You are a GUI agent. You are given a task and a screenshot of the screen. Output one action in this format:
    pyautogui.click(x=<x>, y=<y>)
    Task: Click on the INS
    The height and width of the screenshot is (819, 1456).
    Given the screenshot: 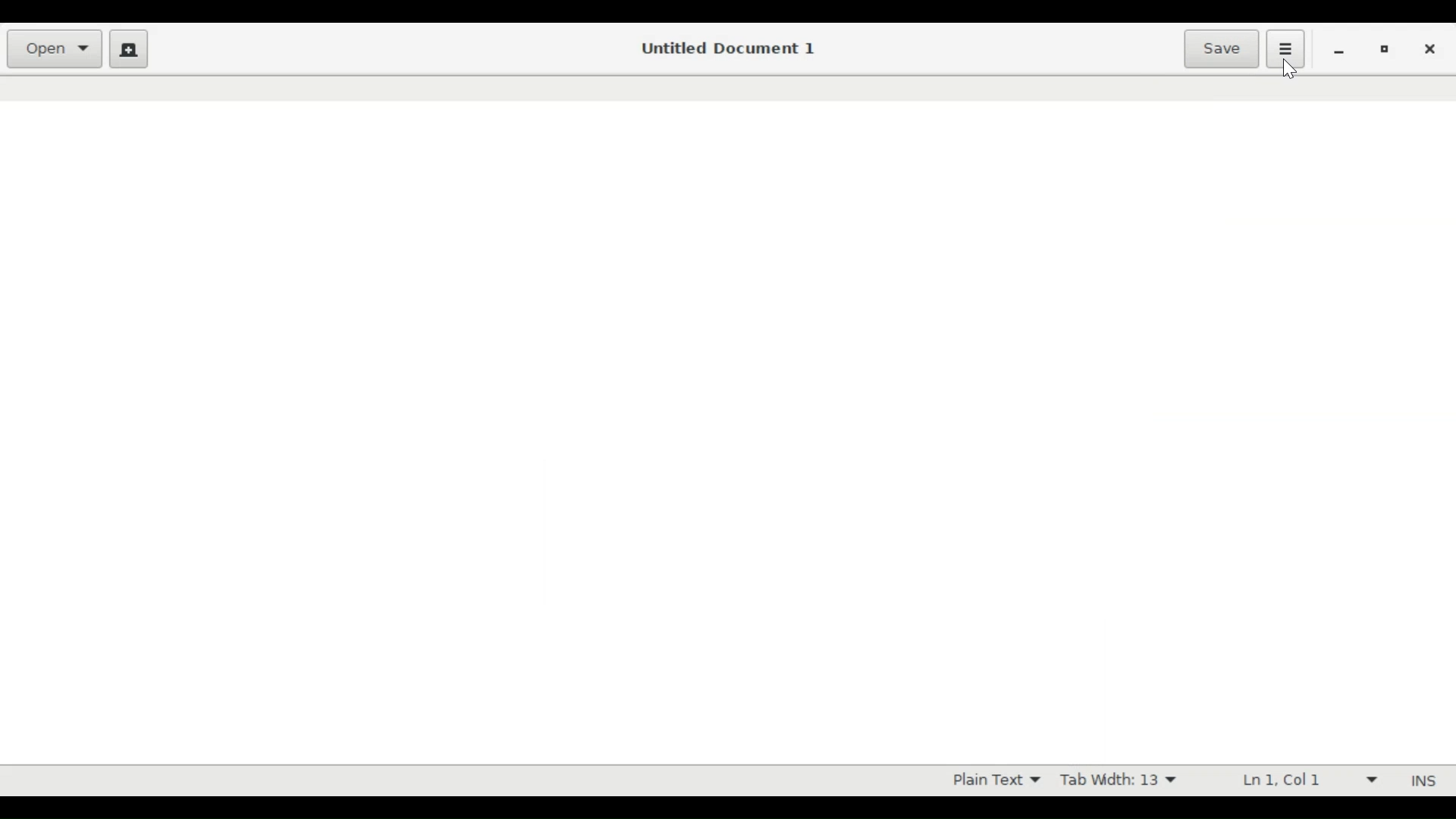 What is the action you would take?
    pyautogui.click(x=1423, y=781)
    